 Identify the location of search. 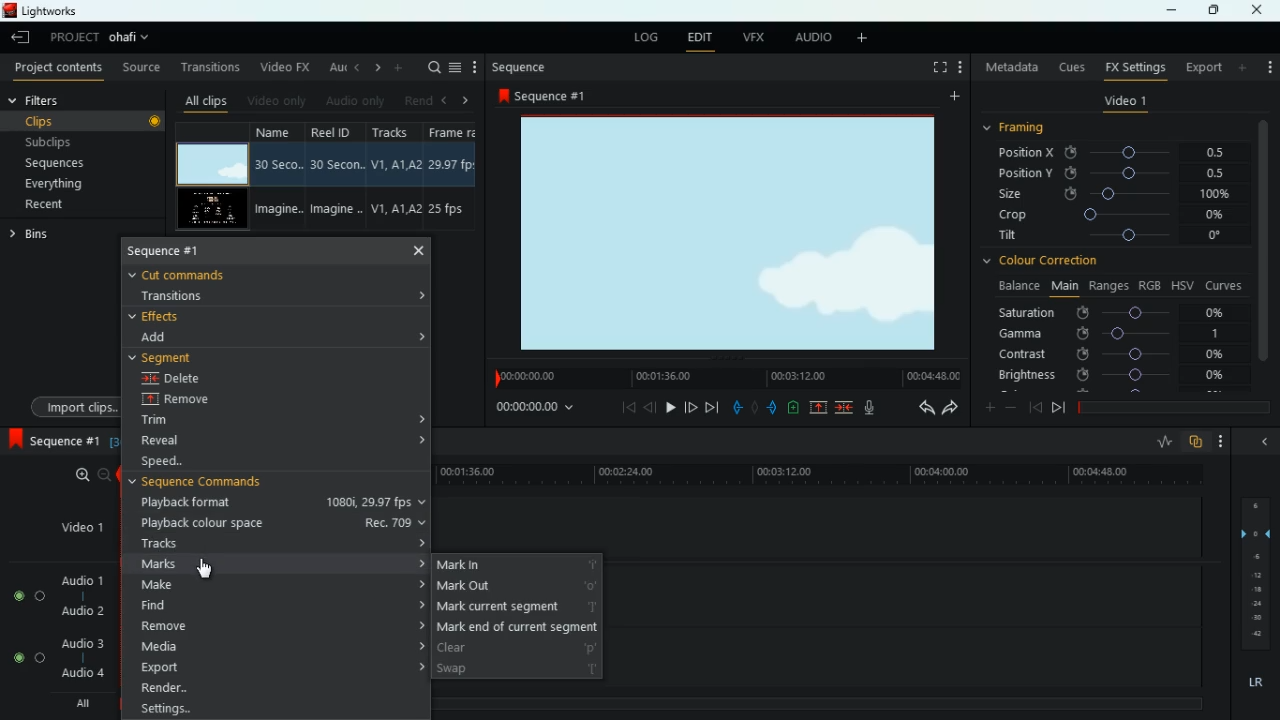
(429, 66).